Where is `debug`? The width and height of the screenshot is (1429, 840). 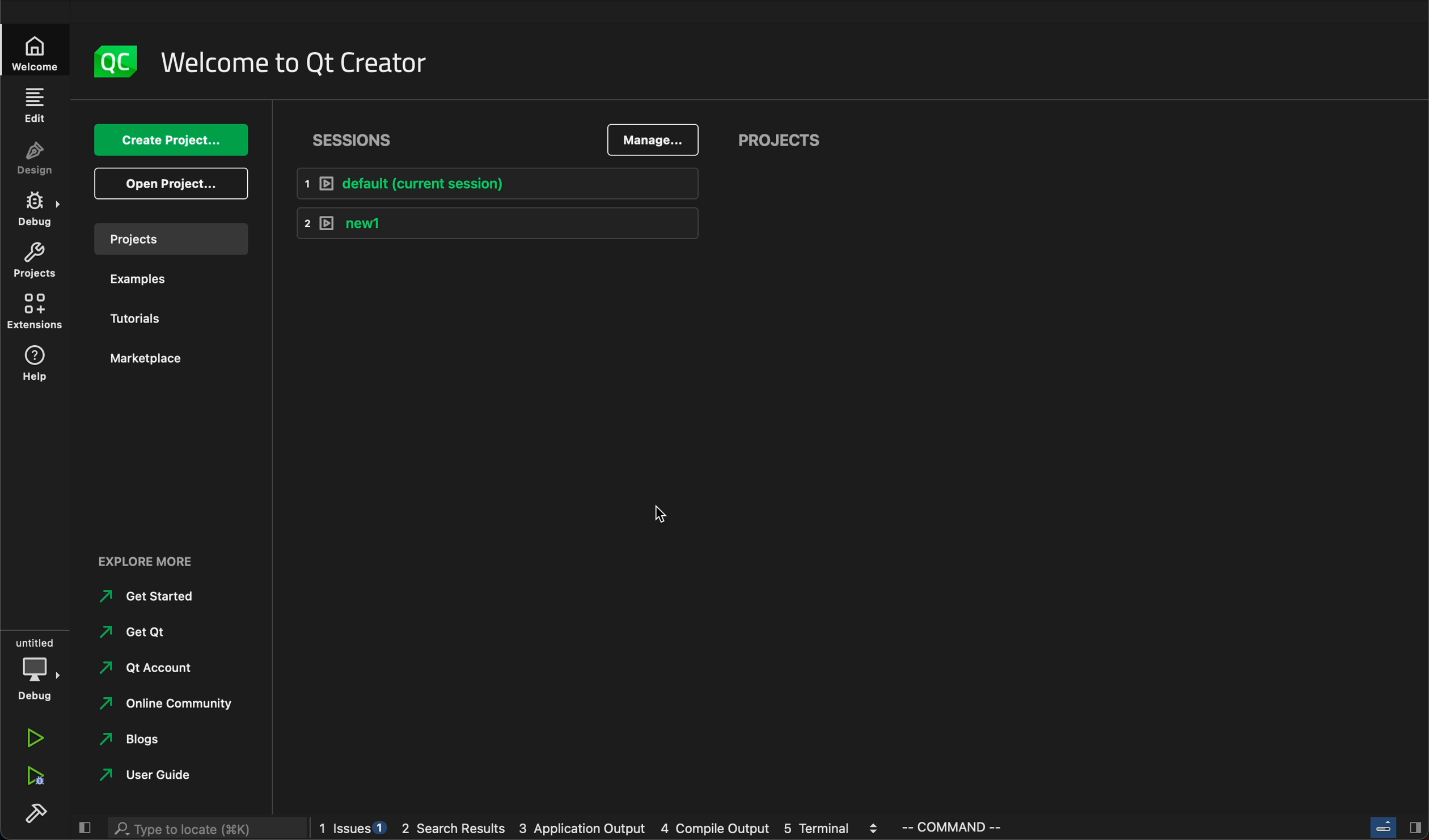
debug is located at coordinates (36, 210).